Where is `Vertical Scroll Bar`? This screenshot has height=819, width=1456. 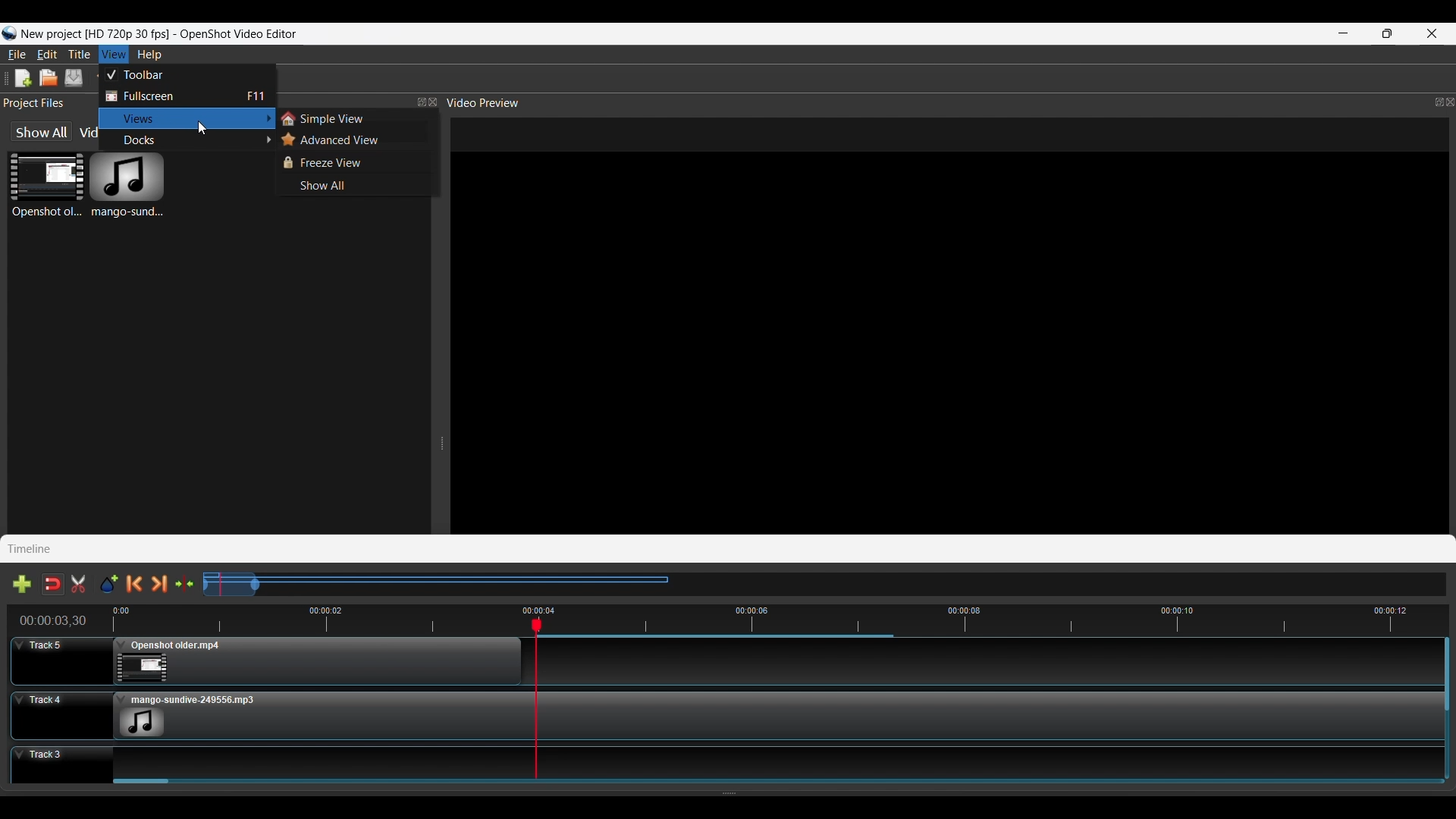 Vertical Scroll Bar is located at coordinates (1446, 706).